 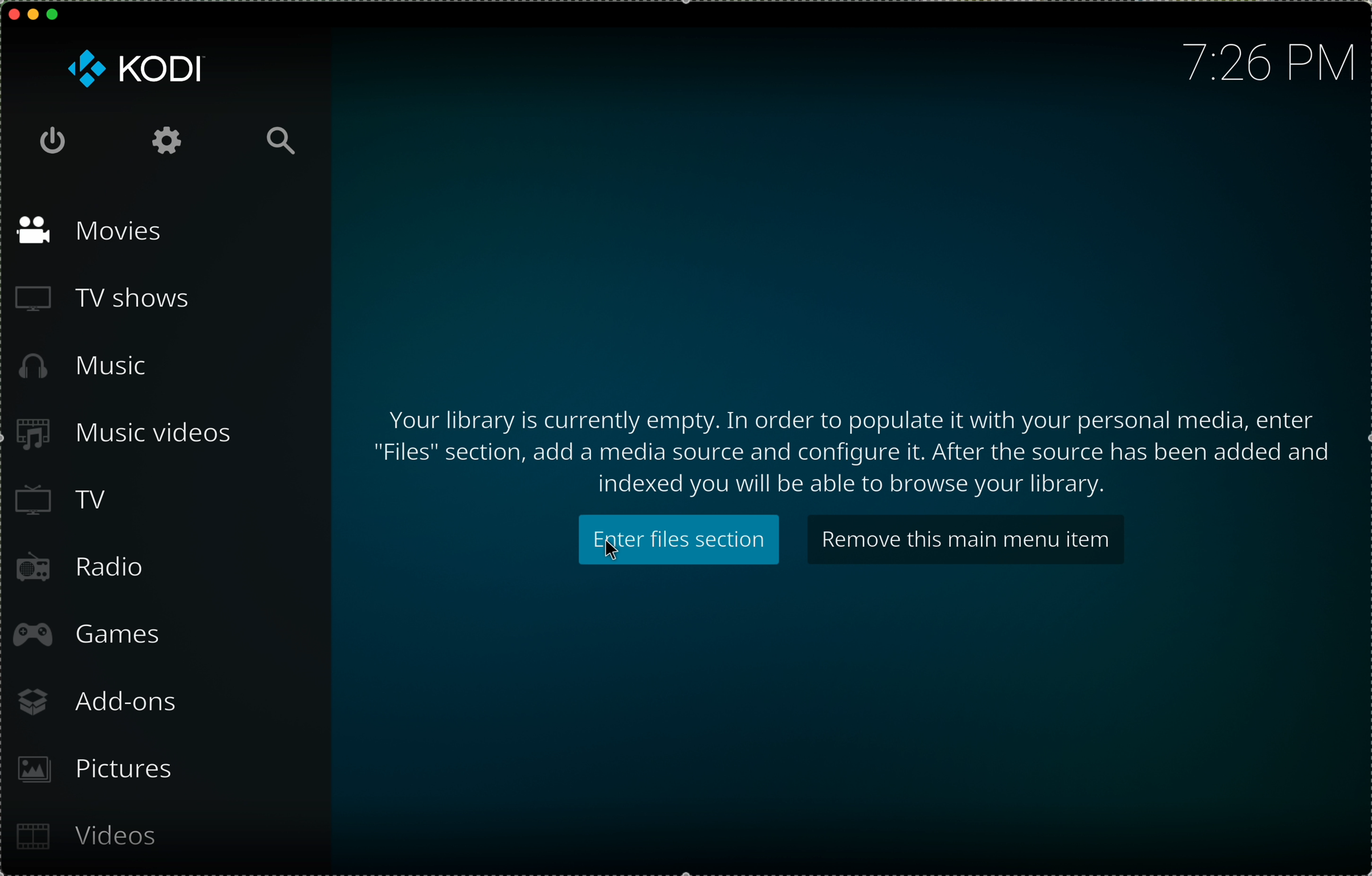 I want to click on click on enter files section button, so click(x=678, y=542).